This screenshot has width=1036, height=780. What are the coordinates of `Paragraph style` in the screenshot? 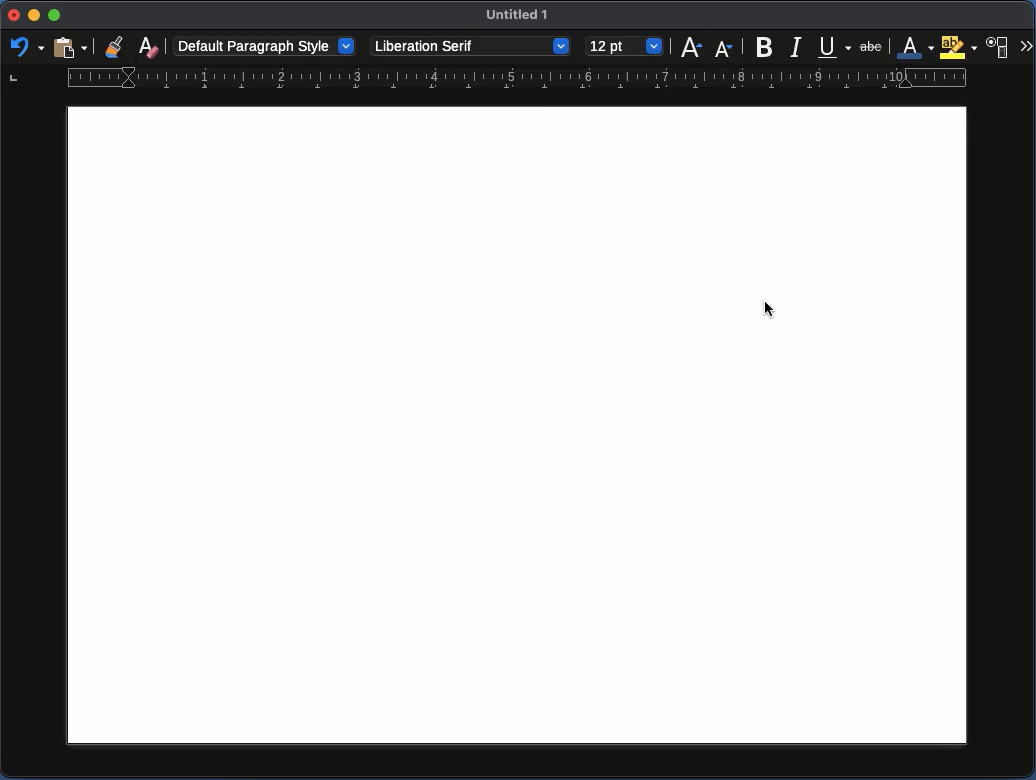 It's located at (265, 45).